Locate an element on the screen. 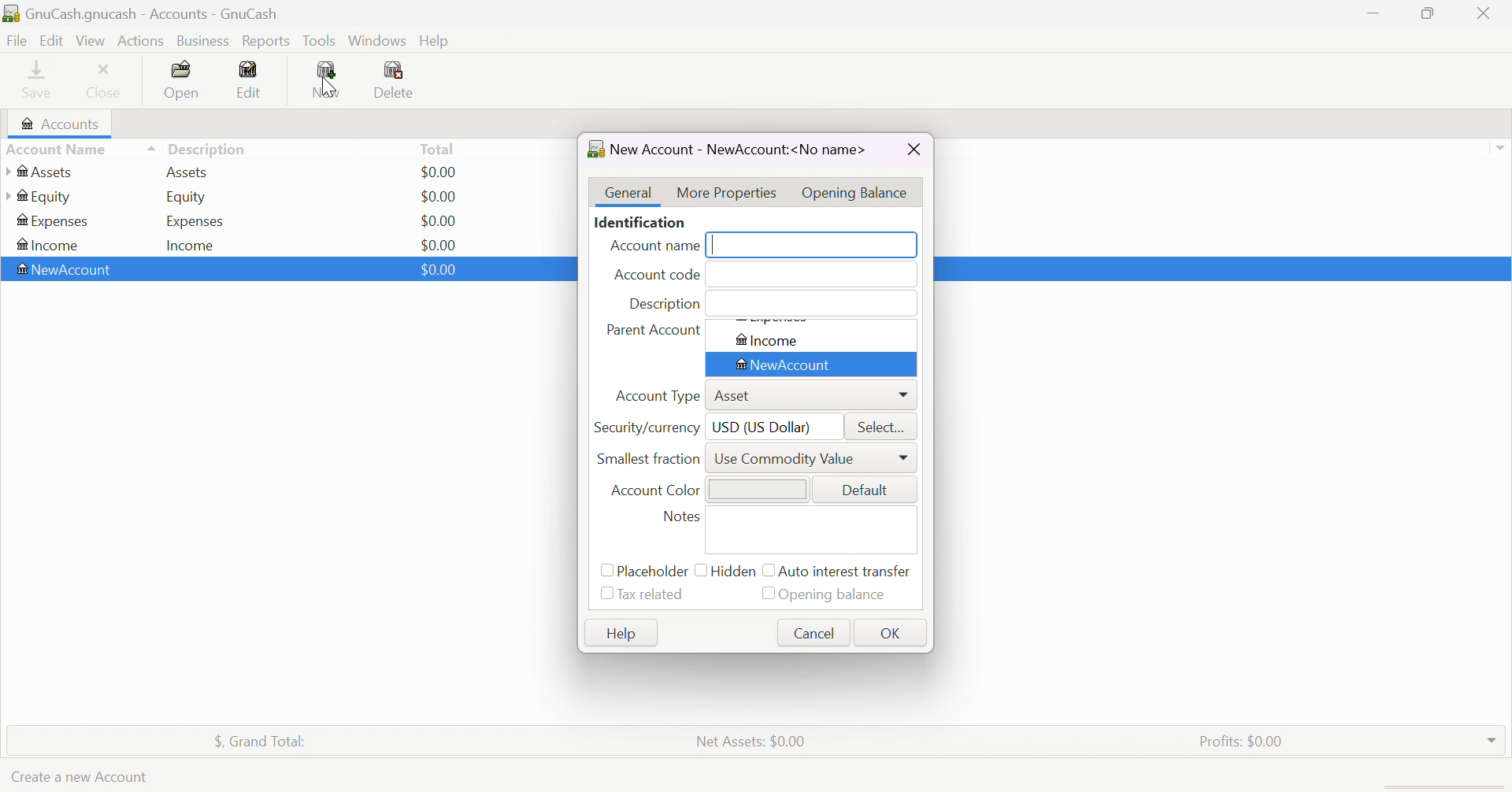  GnuCash.gnucash - Accounts - GnuCash is located at coordinates (146, 14).